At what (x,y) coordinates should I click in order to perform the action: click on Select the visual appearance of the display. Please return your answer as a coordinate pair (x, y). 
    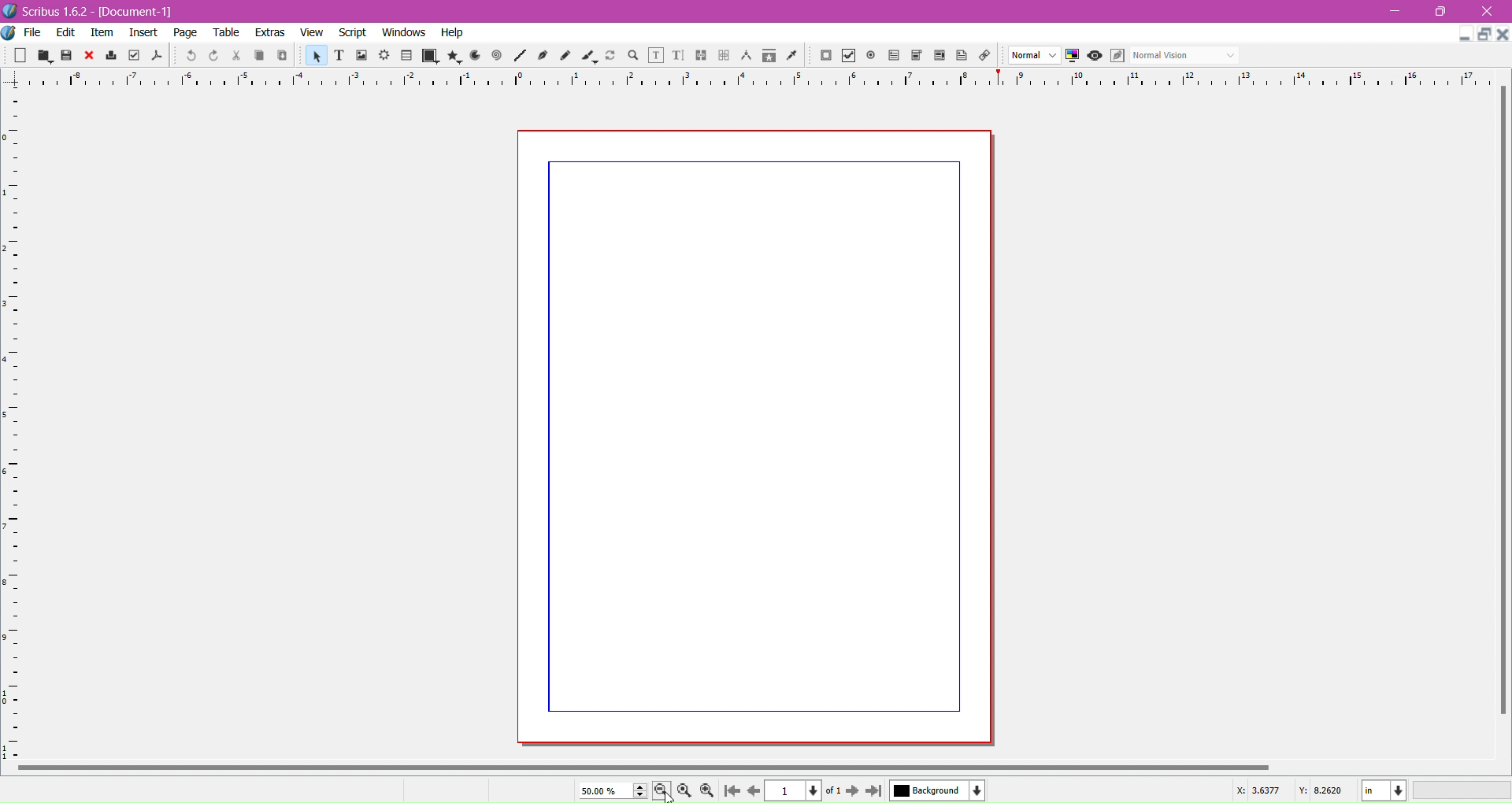
    Looking at the image, I should click on (1187, 55).